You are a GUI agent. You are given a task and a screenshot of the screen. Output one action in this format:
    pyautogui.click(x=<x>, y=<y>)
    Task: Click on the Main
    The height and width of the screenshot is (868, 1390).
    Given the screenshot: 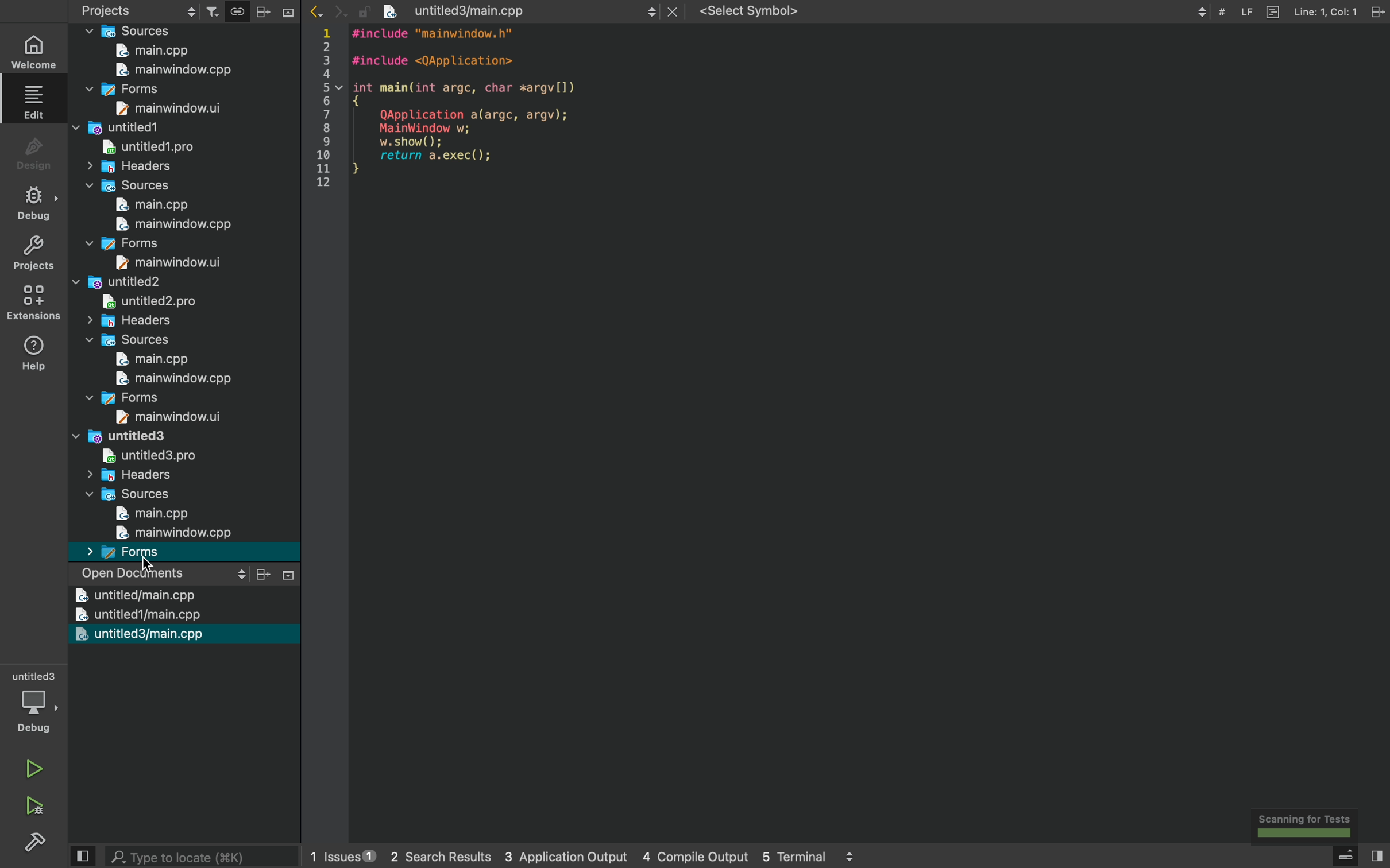 What is the action you would take?
    pyautogui.click(x=156, y=52)
    